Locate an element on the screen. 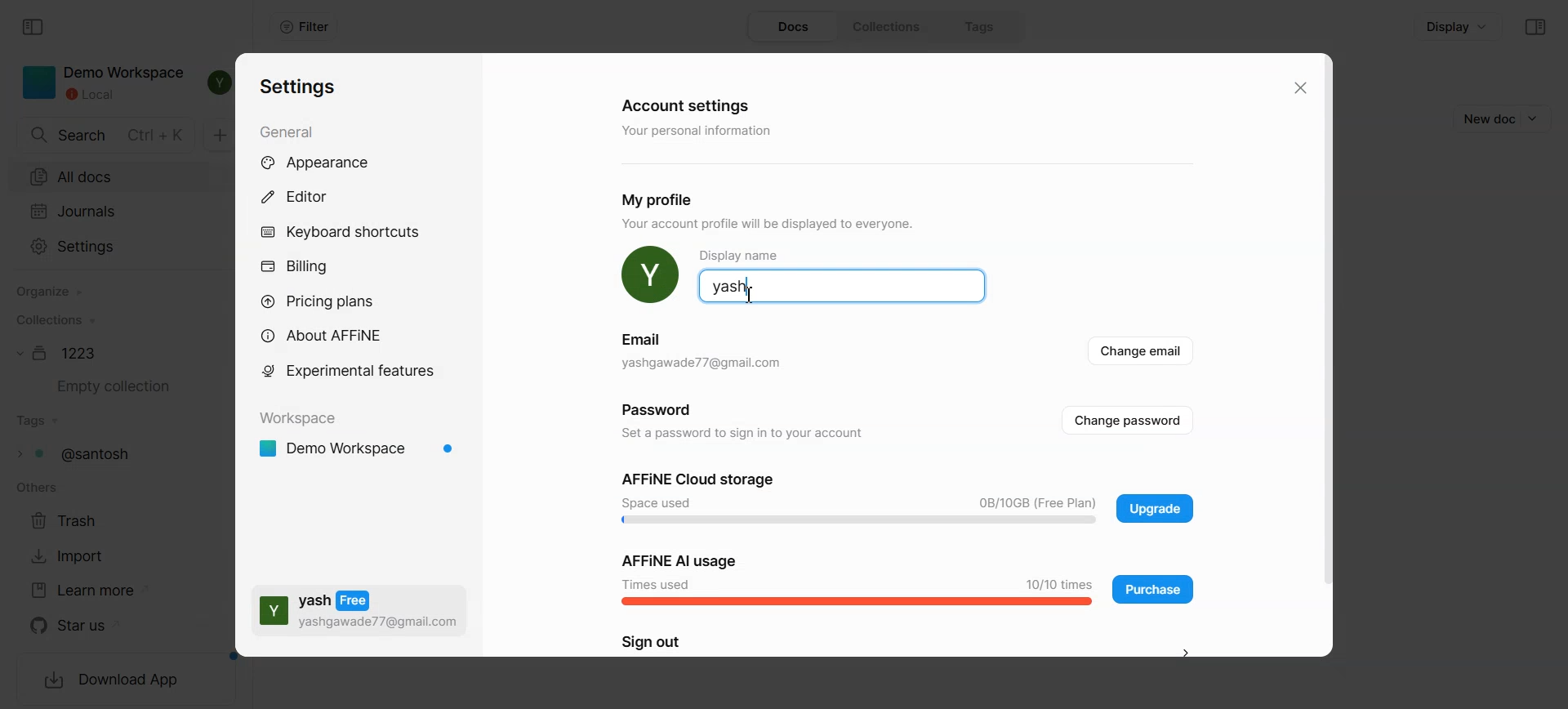 The image size is (1568, 709). Empty collection is located at coordinates (109, 386).